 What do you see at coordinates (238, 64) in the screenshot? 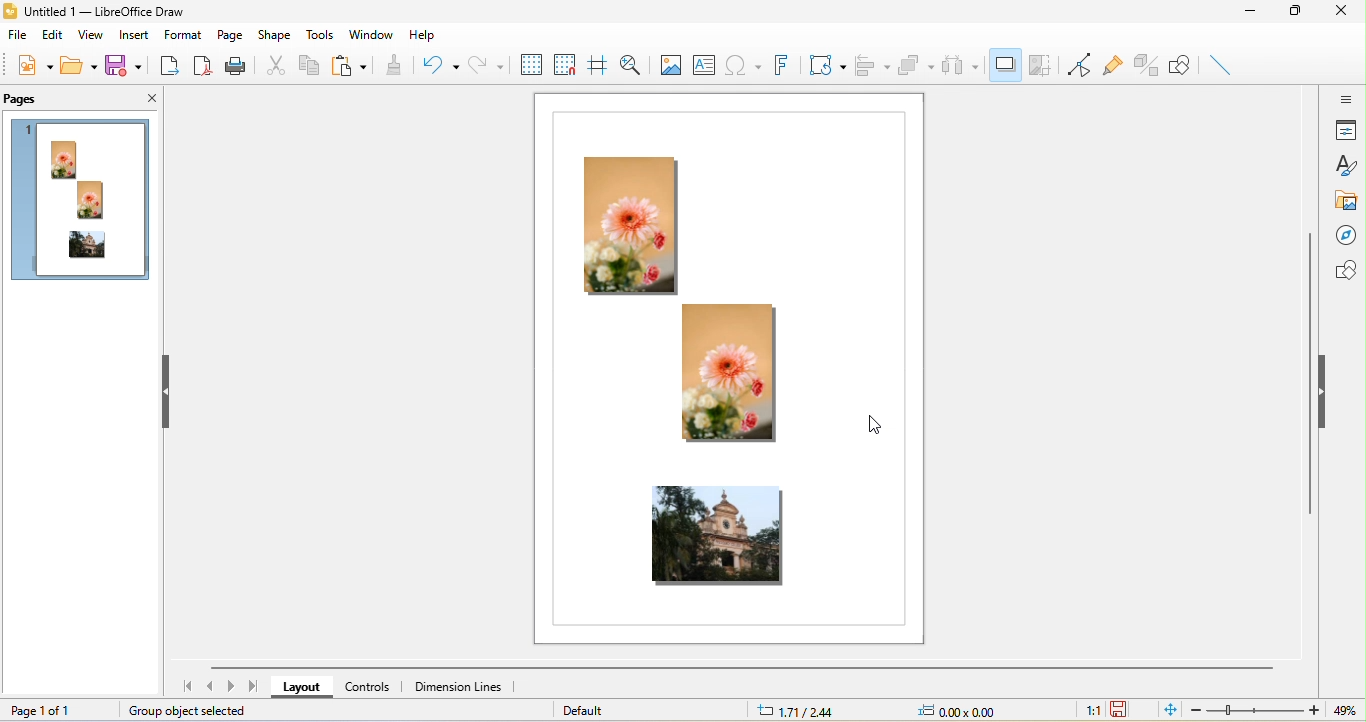
I see `print` at bounding box center [238, 64].